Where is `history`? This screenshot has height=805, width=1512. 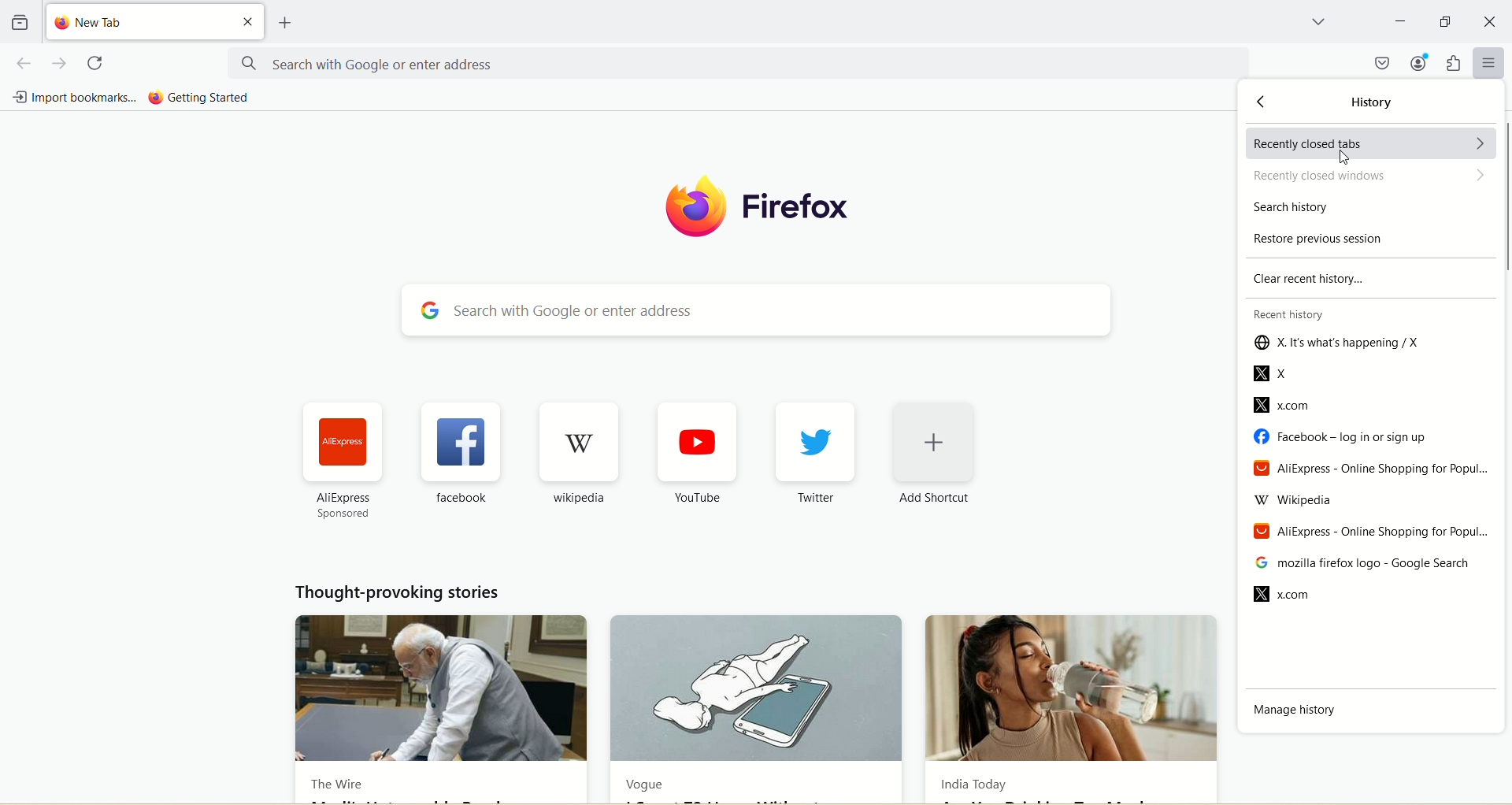
history is located at coordinates (1388, 104).